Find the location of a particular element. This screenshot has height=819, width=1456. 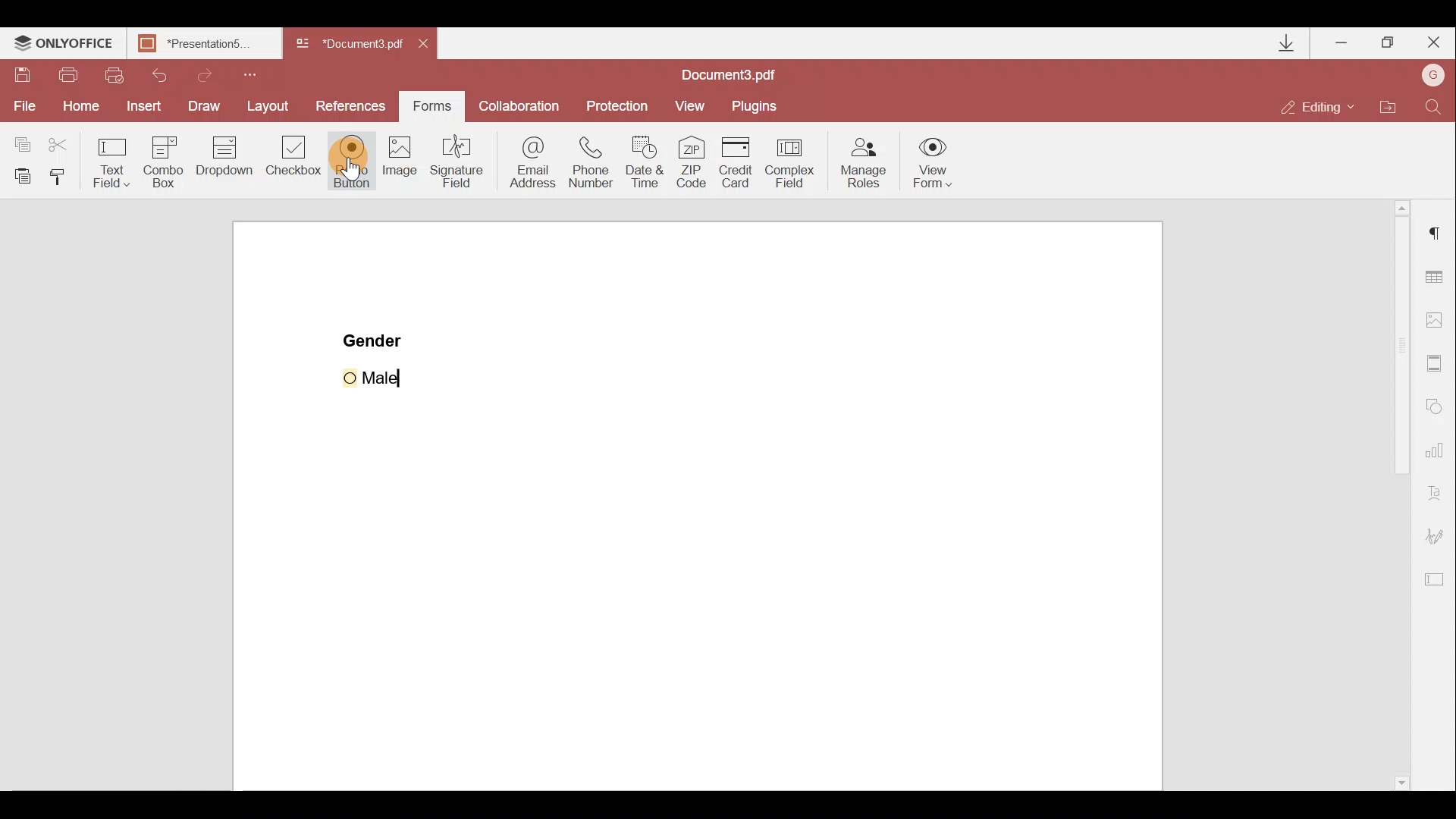

Copy style is located at coordinates (64, 175).